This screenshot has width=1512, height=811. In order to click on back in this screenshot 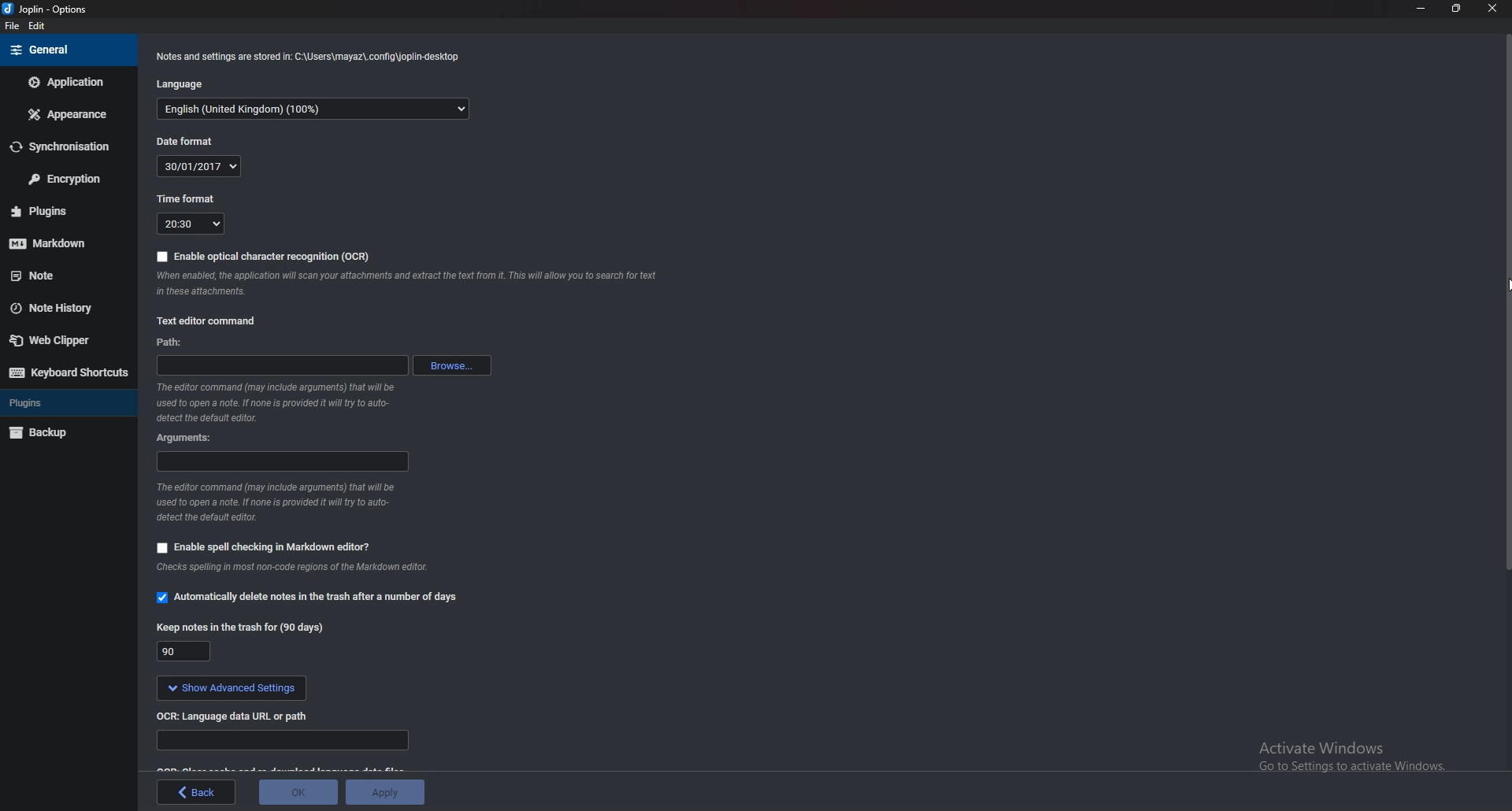, I will do `click(195, 792)`.